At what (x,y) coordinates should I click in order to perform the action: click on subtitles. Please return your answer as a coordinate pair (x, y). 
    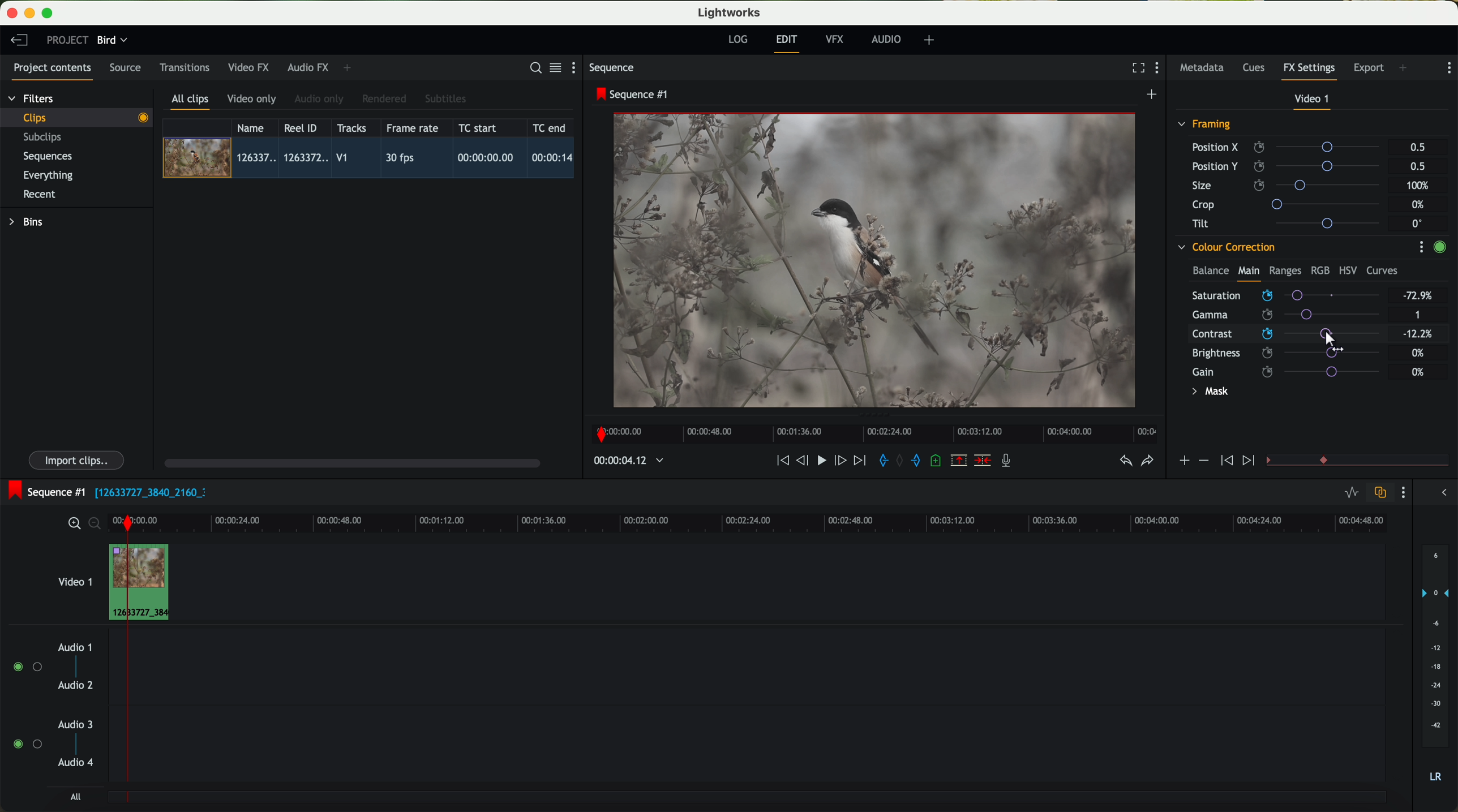
    Looking at the image, I should click on (444, 99).